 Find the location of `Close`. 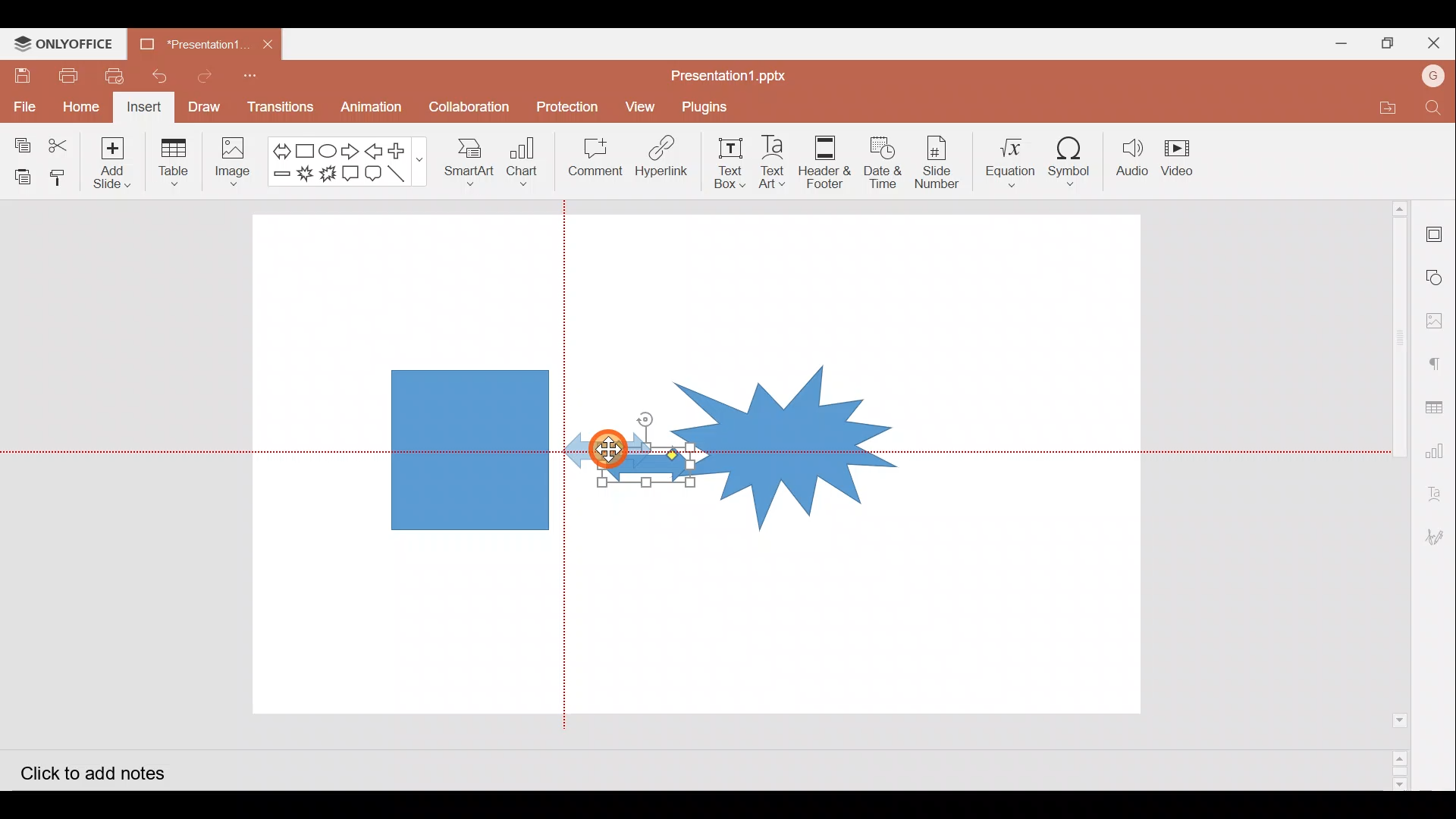

Close is located at coordinates (1432, 42).